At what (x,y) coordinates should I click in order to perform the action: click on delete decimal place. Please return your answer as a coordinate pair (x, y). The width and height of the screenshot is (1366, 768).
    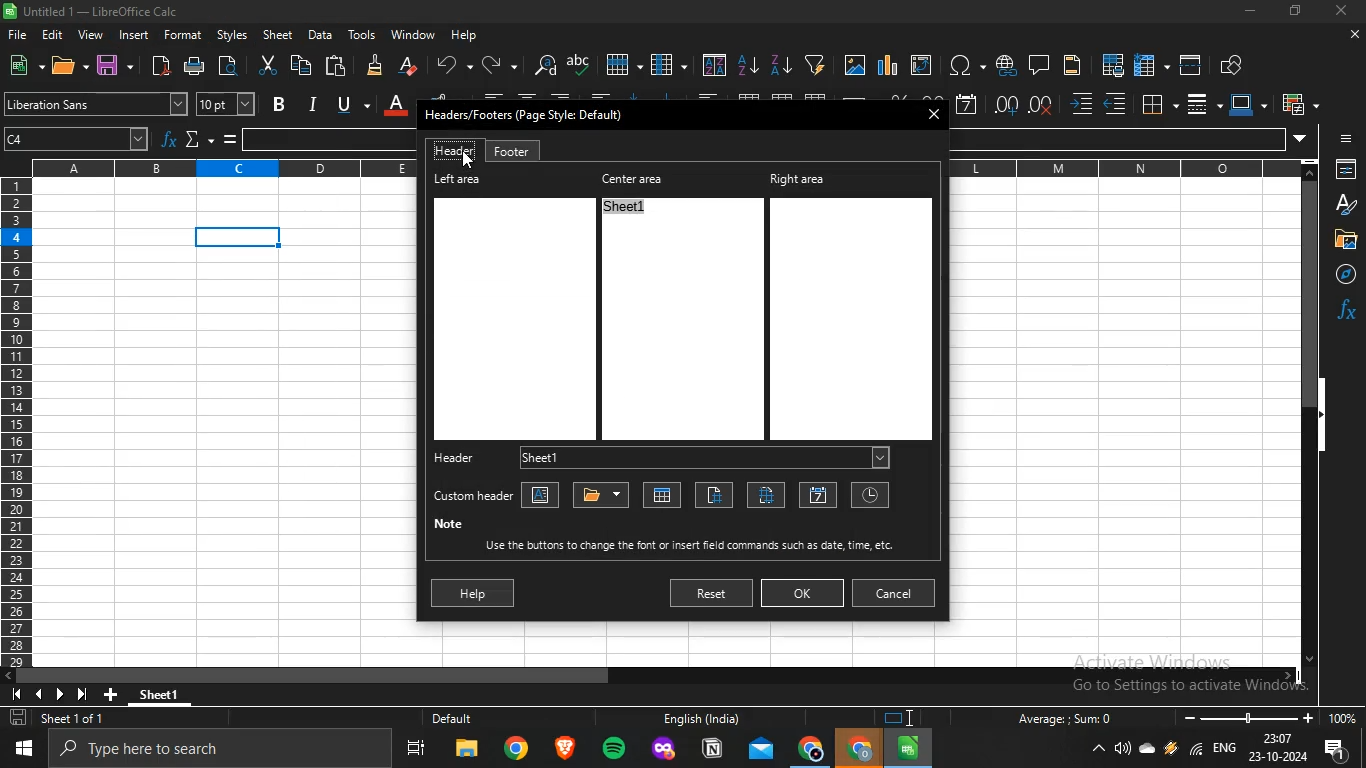
    Looking at the image, I should click on (1043, 104).